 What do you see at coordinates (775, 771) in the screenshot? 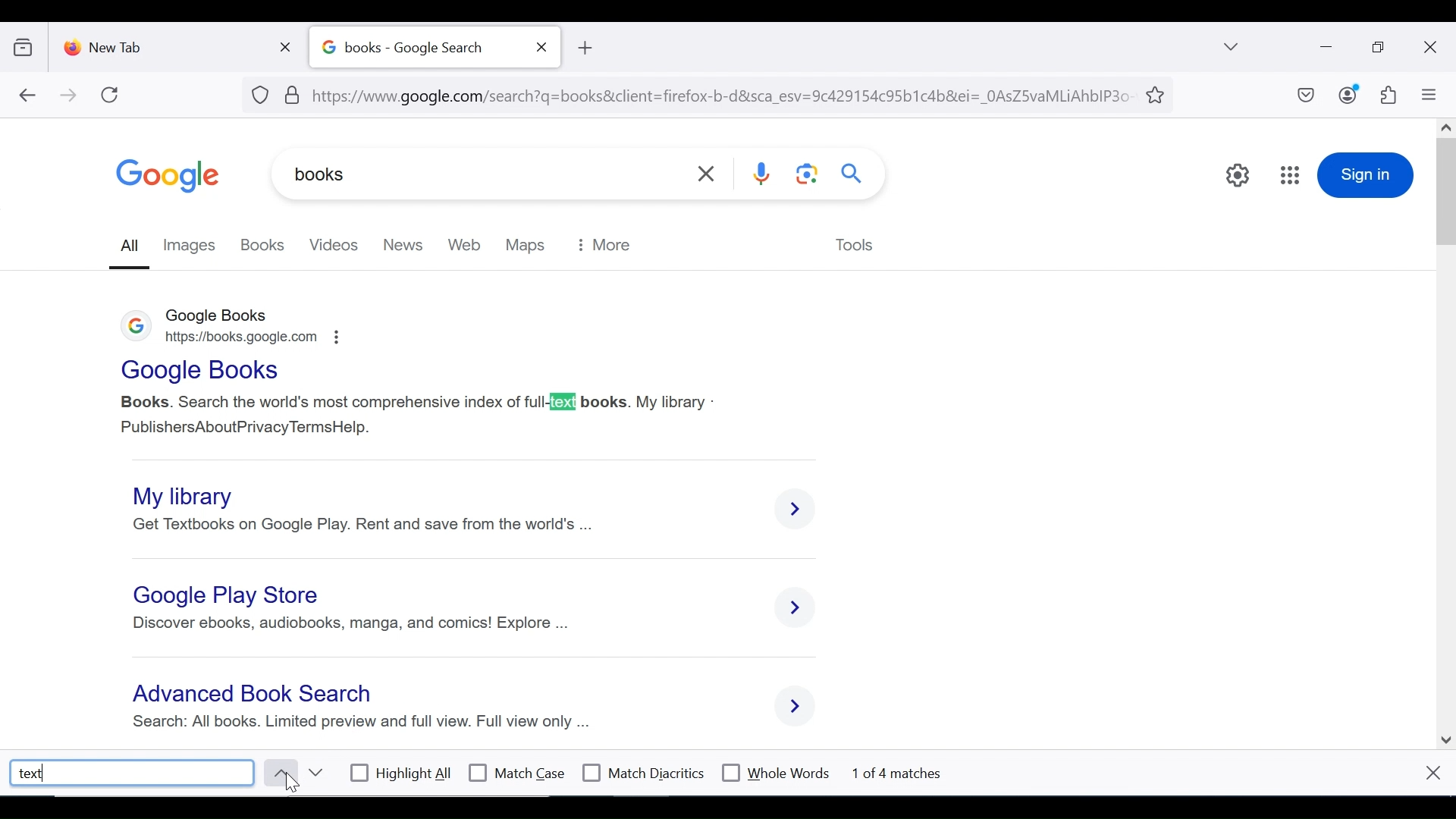
I see `whole words` at bounding box center [775, 771].